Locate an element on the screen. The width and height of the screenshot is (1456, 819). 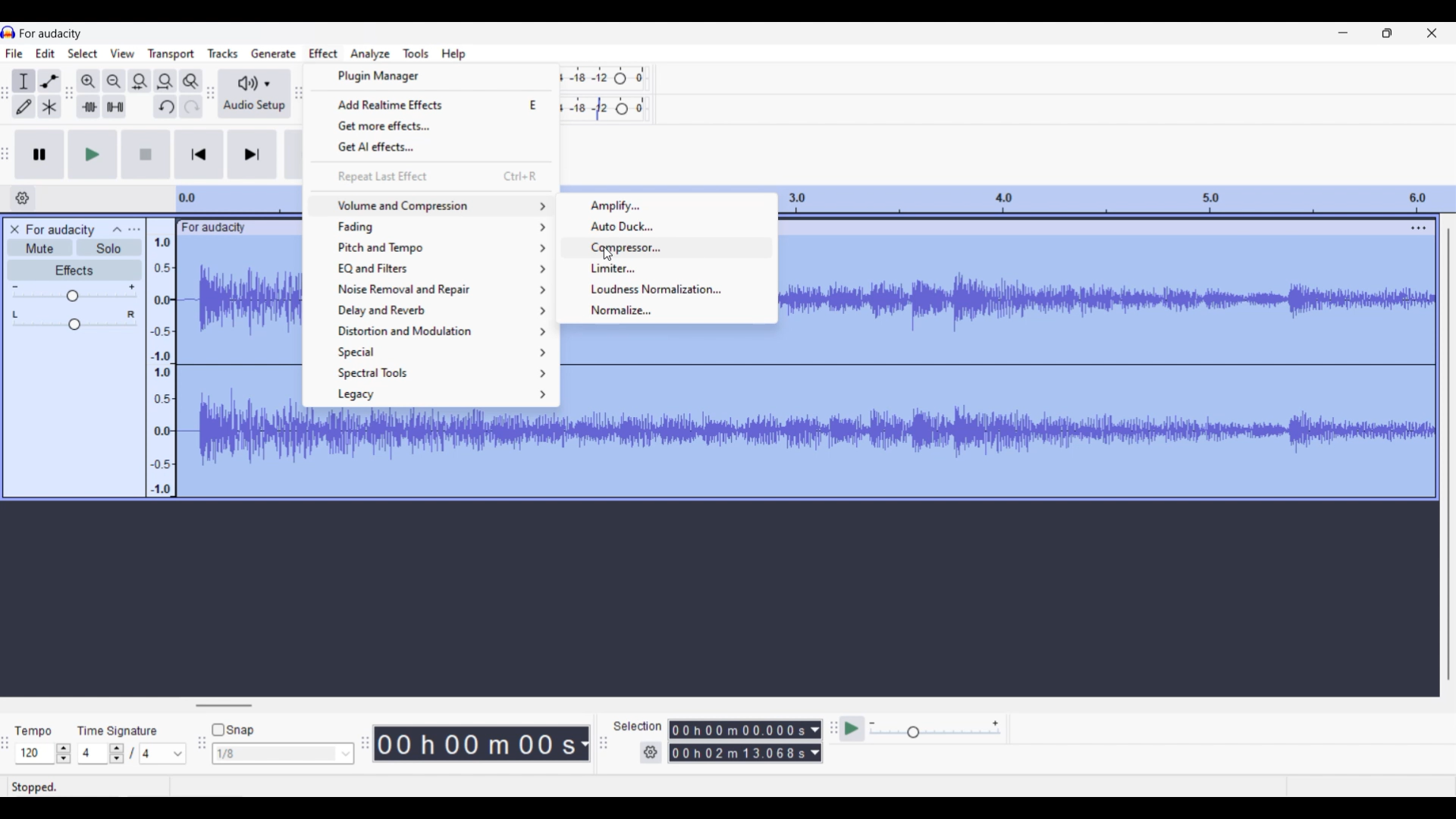
Effects is located at coordinates (53, 270).